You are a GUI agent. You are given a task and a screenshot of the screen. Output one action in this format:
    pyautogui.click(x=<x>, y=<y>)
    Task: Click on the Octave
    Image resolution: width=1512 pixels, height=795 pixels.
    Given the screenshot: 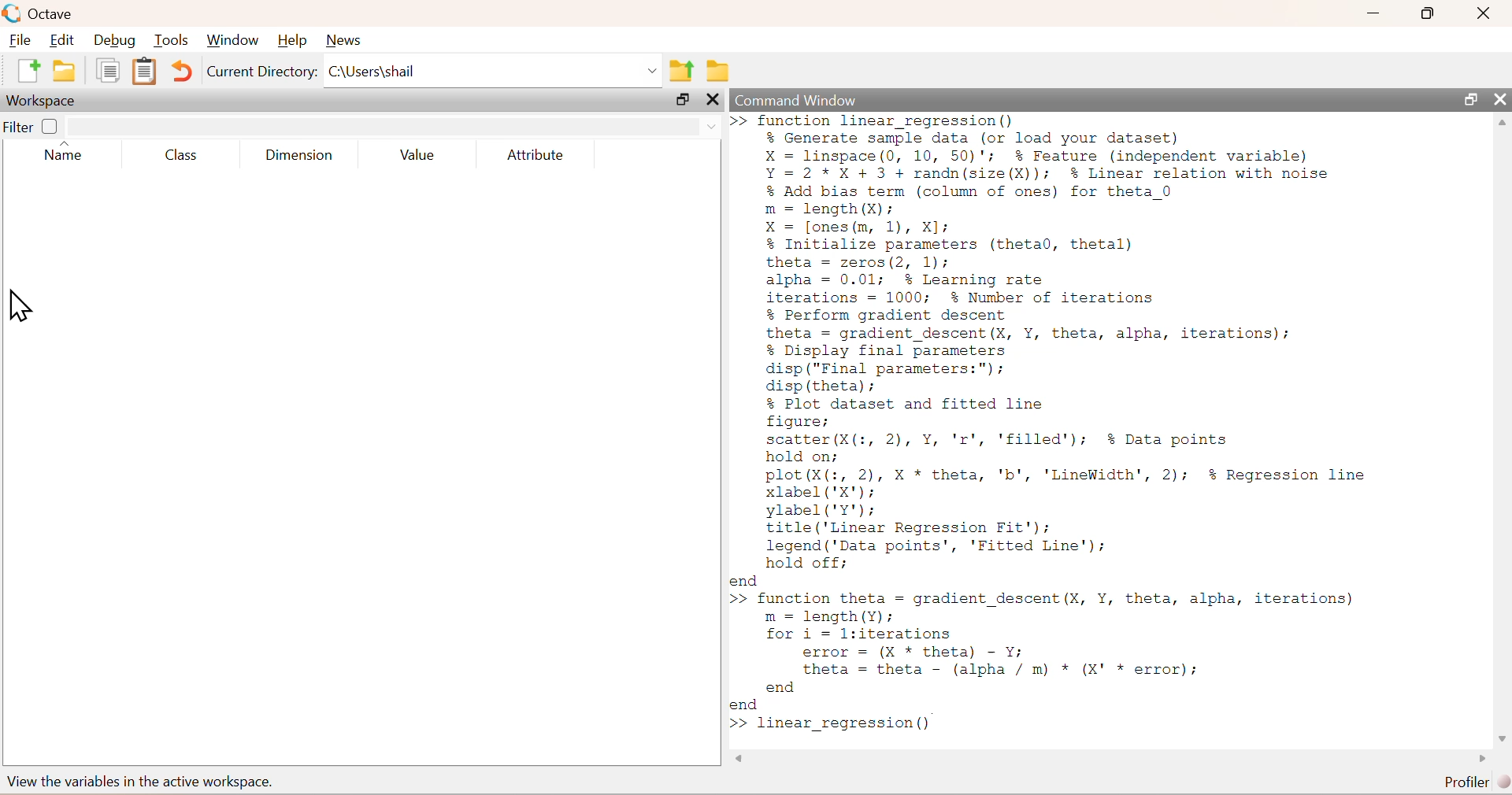 What is the action you would take?
    pyautogui.click(x=52, y=14)
    